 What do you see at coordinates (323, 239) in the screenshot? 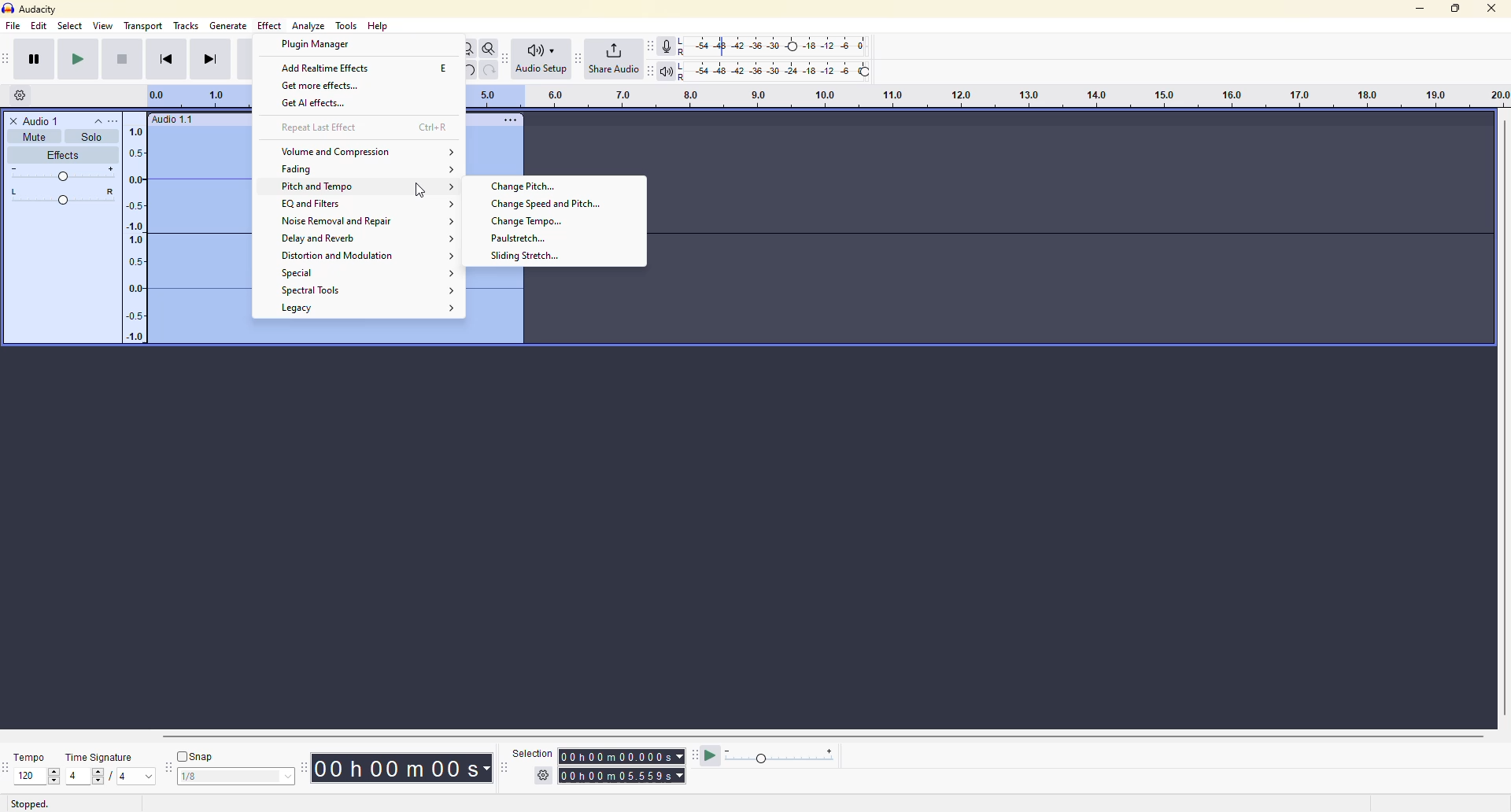
I see `delay and reverb` at bounding box center [323, 239].